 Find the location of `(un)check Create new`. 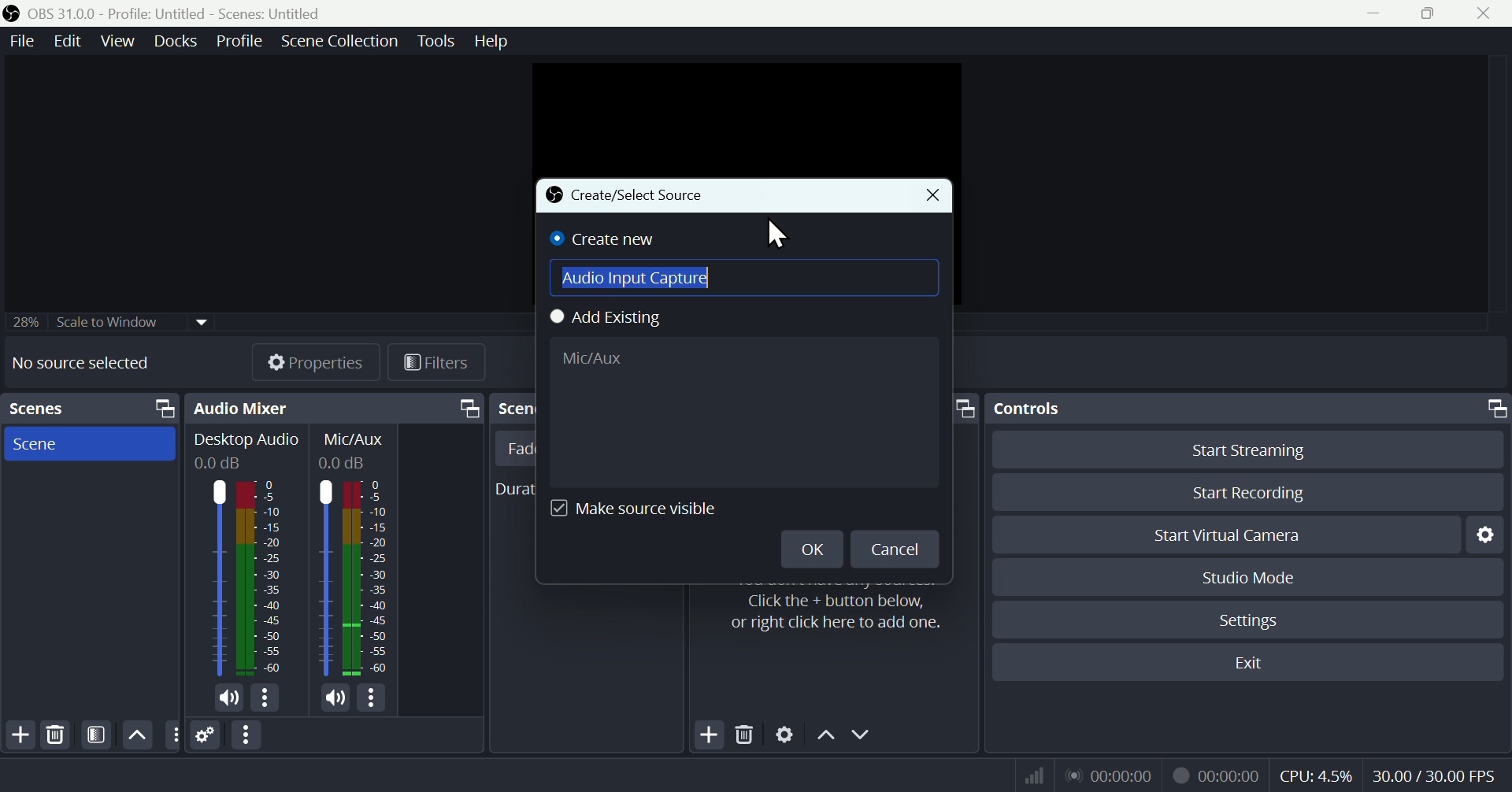

(un)check Create new is located at coordinates (606, 239).